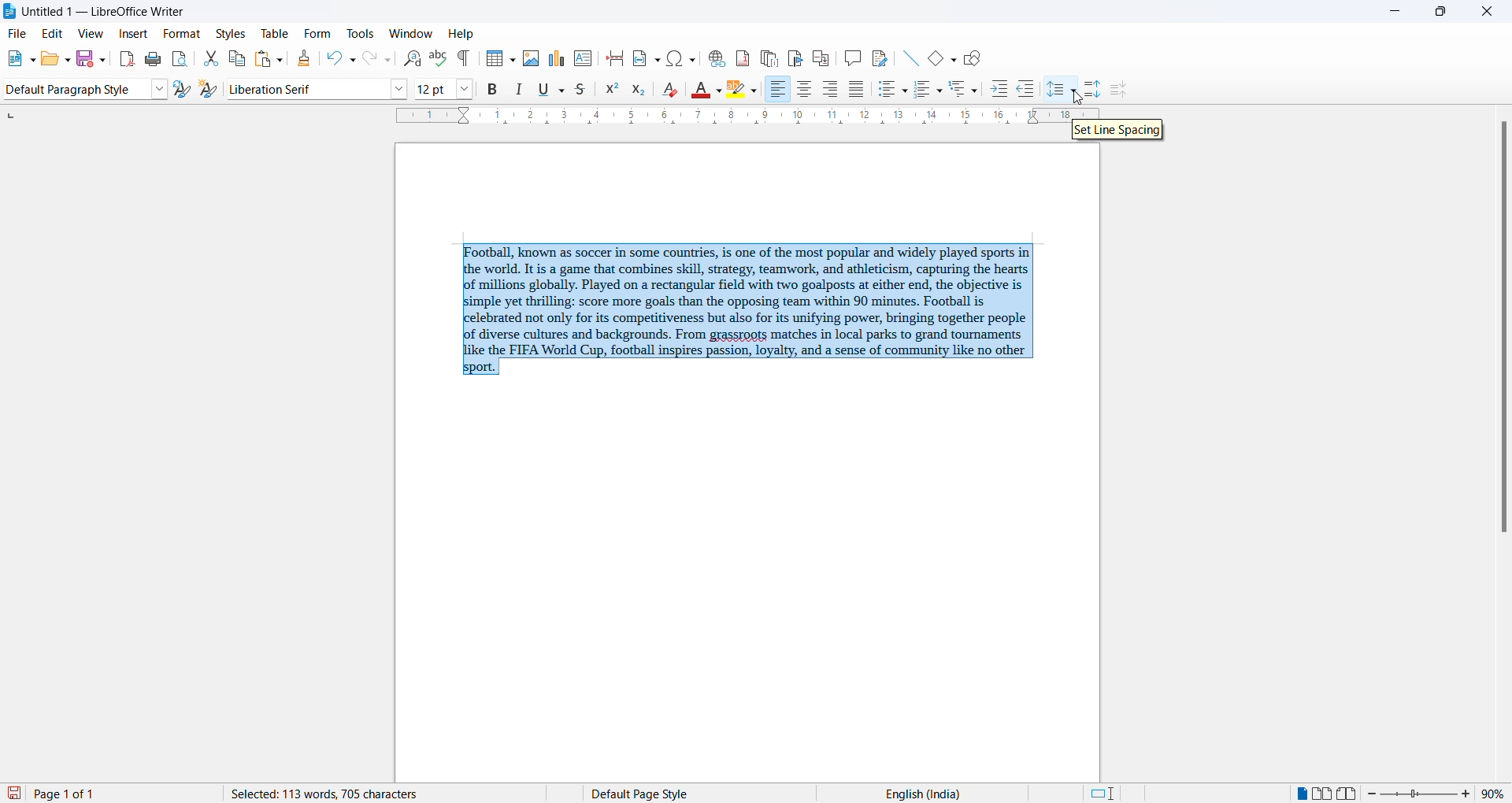 Image resolution: width=1512 pixels, height=803 pixels. Describe the element at coordinates (976, 60) in the screenshot. I see `show draw functions` at that location.